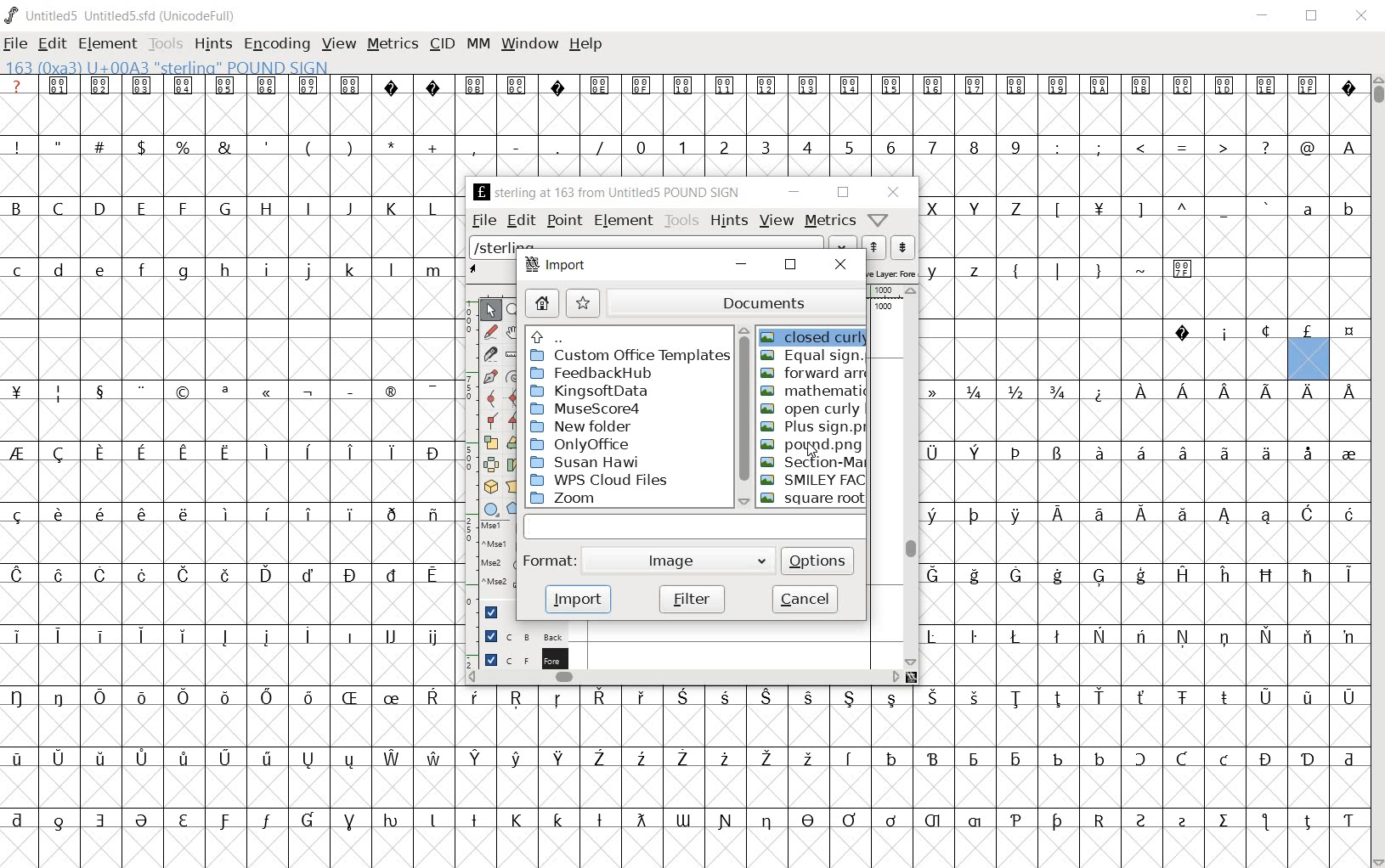  Describe the element at coordinates (830, 220) in the screenshot. I see `metrics` at that location.